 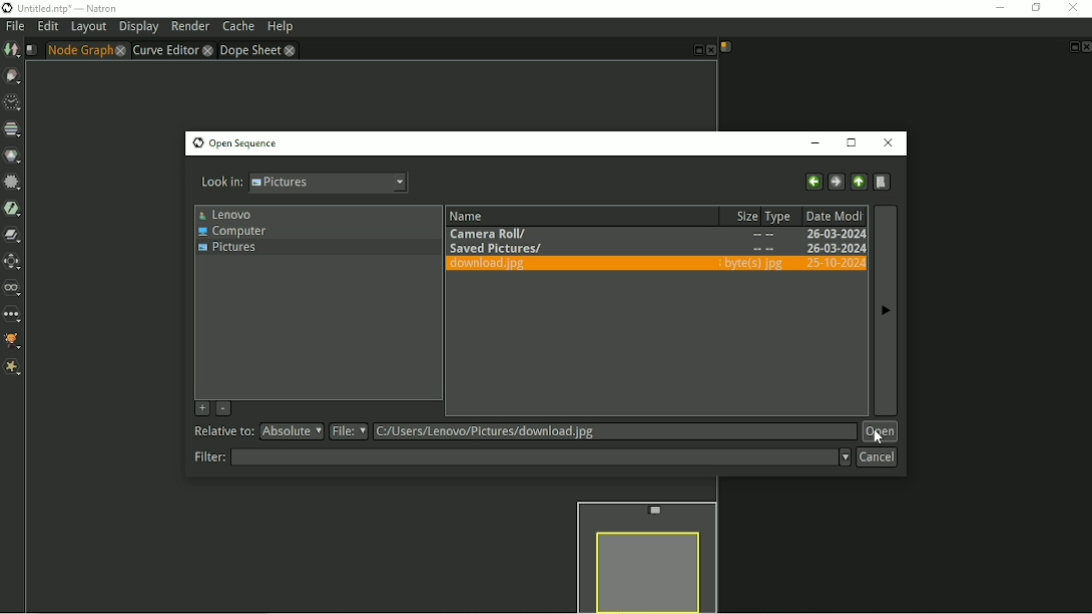 I want to click on Filter, so click(x=12, y=182).